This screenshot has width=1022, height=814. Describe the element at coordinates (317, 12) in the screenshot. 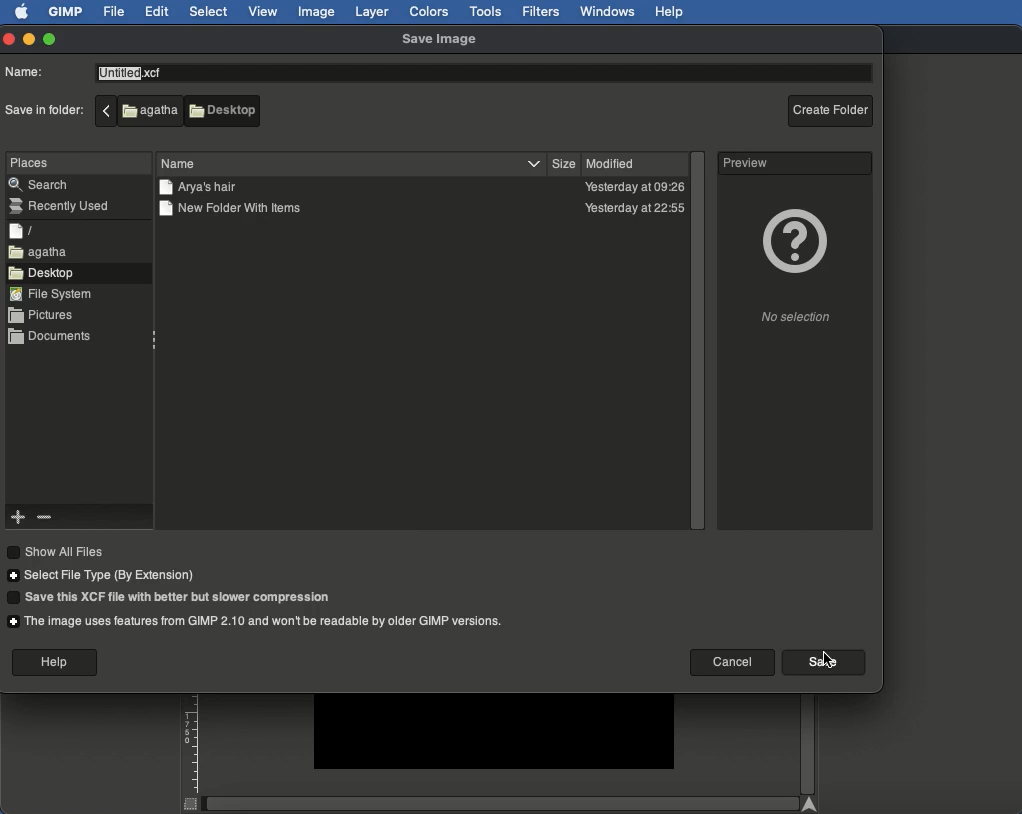

I see `Image` at that location.